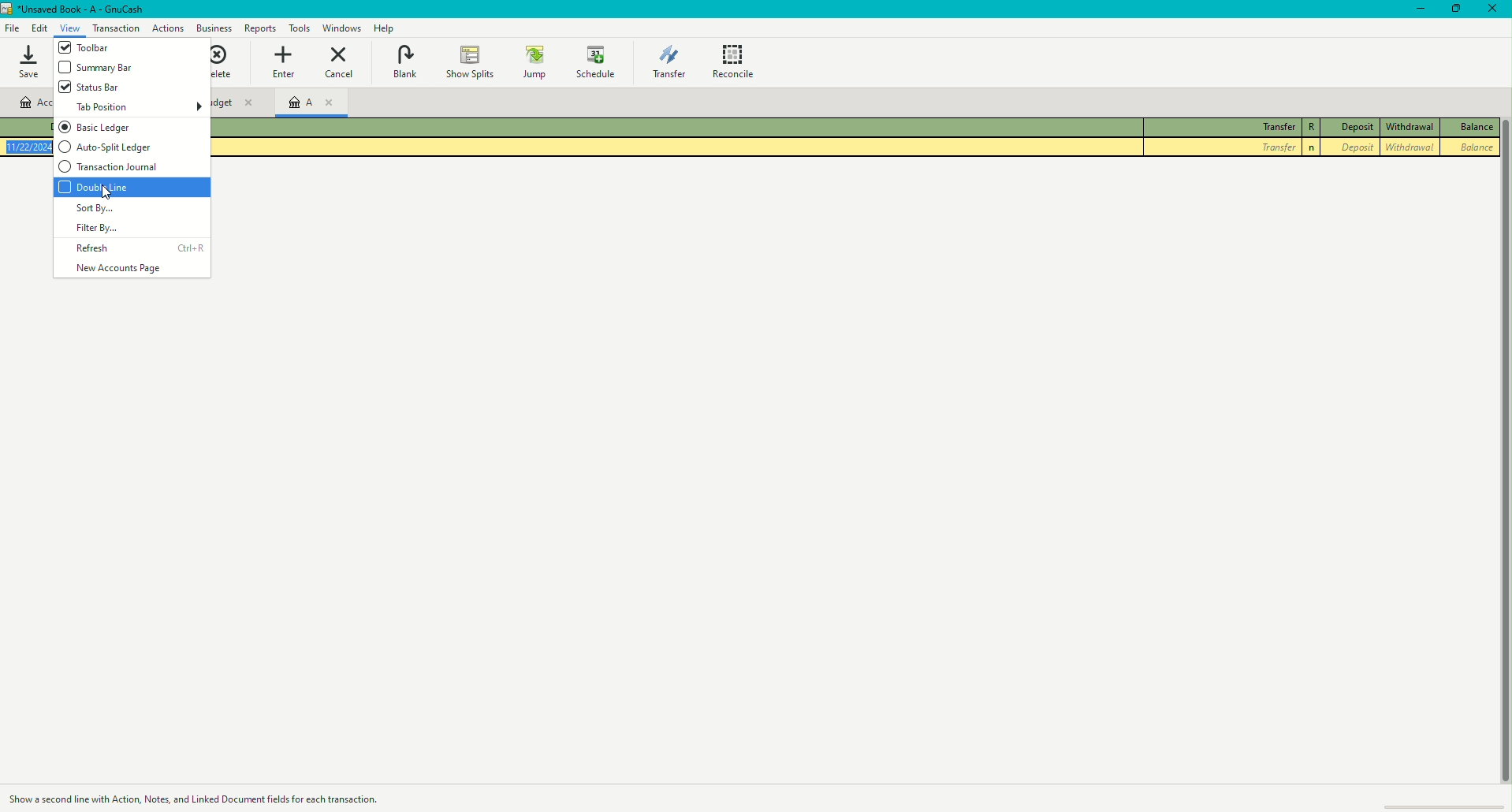 The height and width of the screenshot is (812, 1512). What do you see at coordinates (384, 28) in the screenshot?
I see `Help` at bounding box center [384, 28].